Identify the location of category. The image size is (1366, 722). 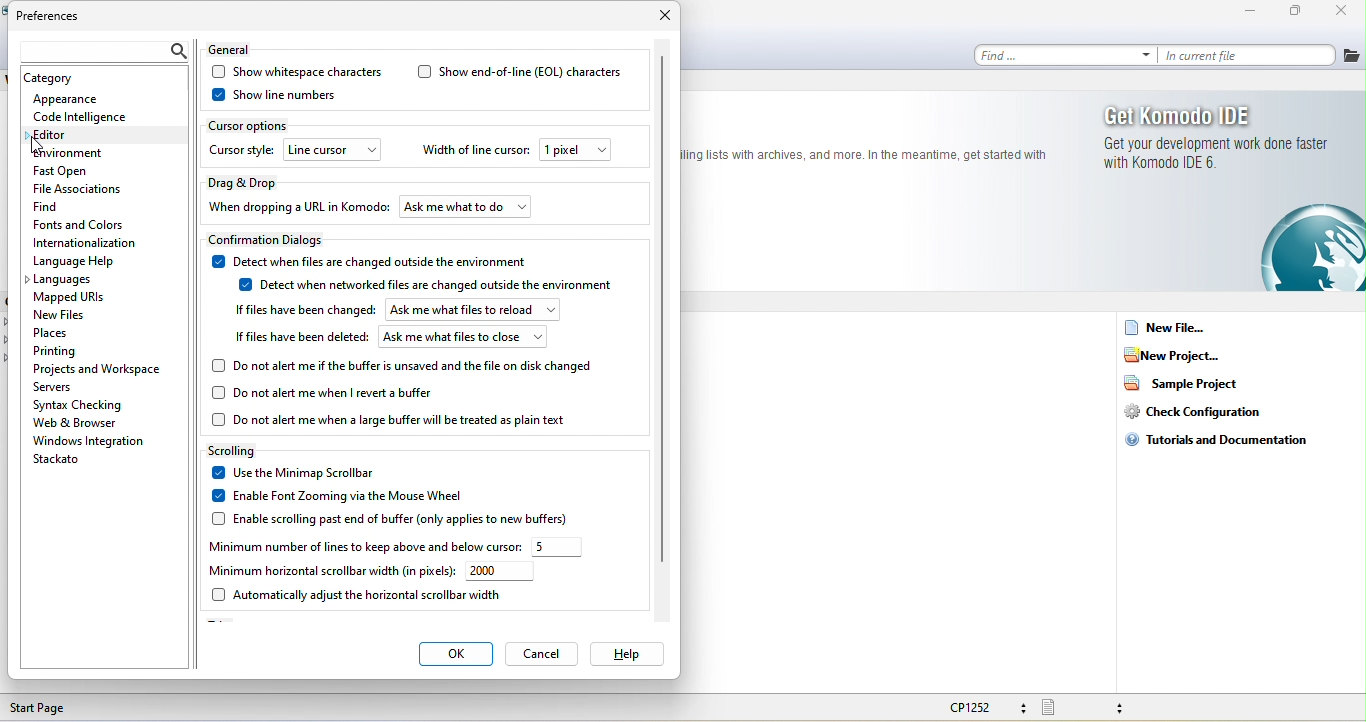
(55, 79).